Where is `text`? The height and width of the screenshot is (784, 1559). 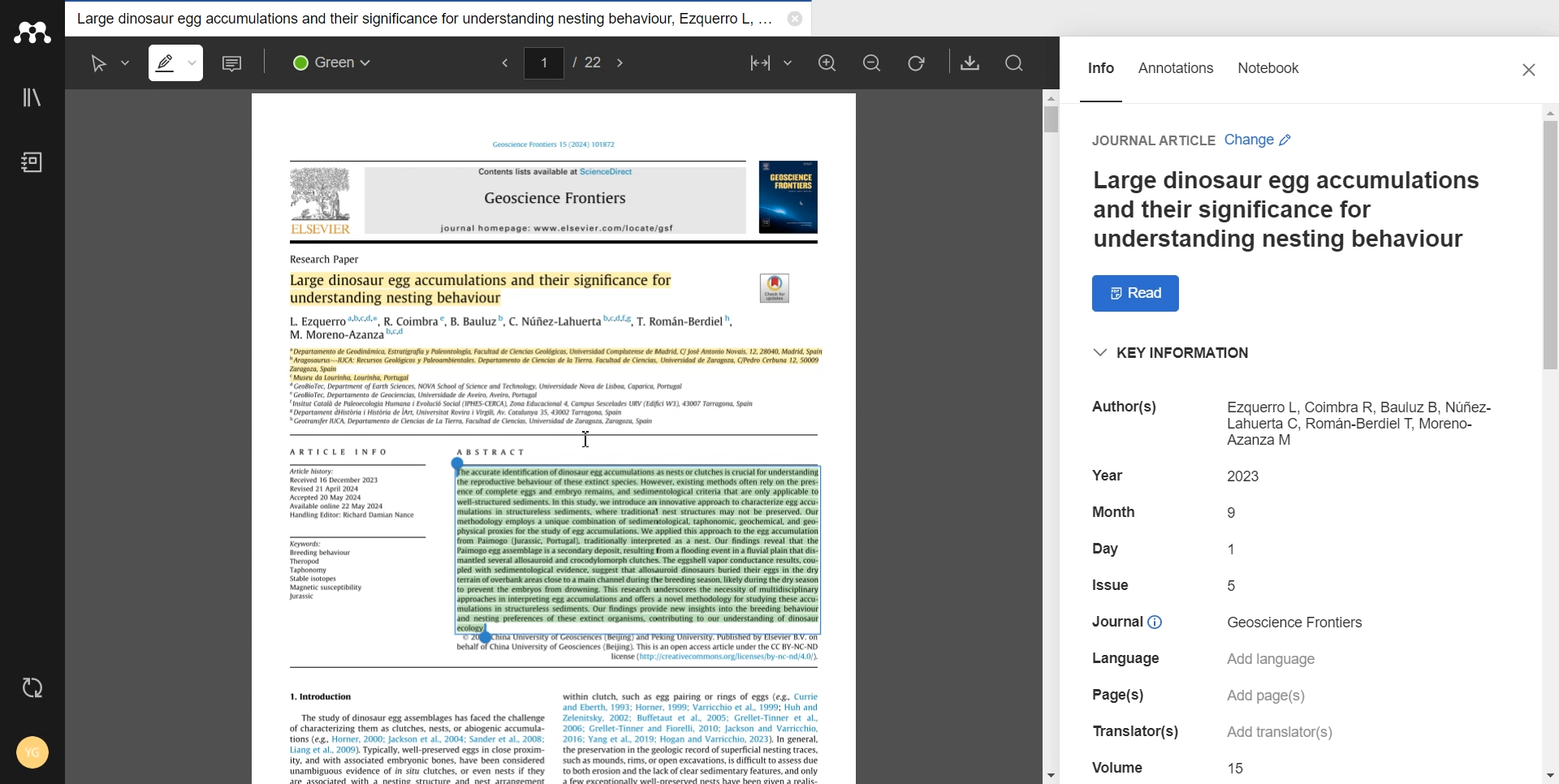
text is located at coordinates (1108, 474).